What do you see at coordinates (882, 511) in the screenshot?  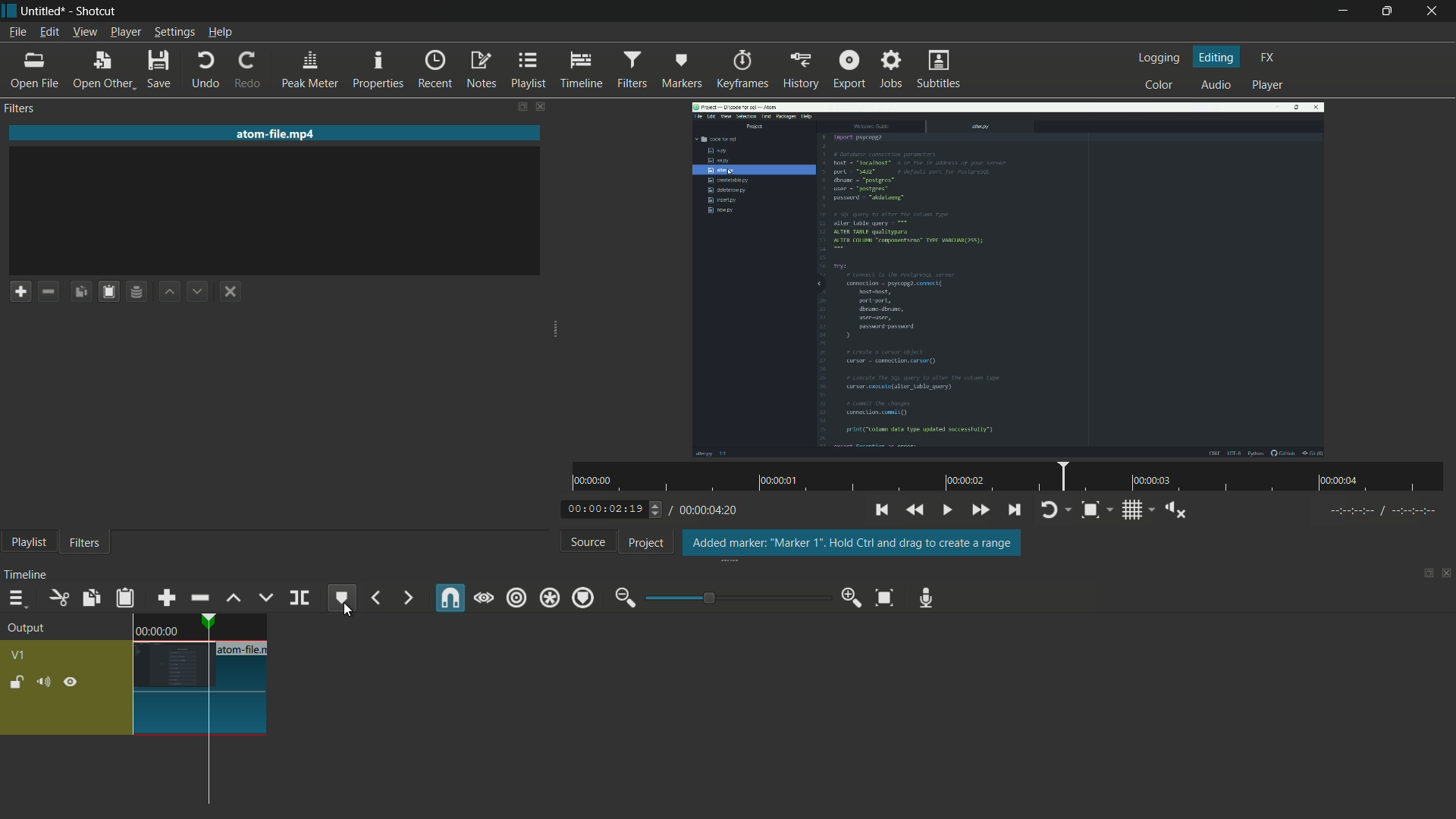 I see `skip to the previous point` at bounding box center [882, 511].